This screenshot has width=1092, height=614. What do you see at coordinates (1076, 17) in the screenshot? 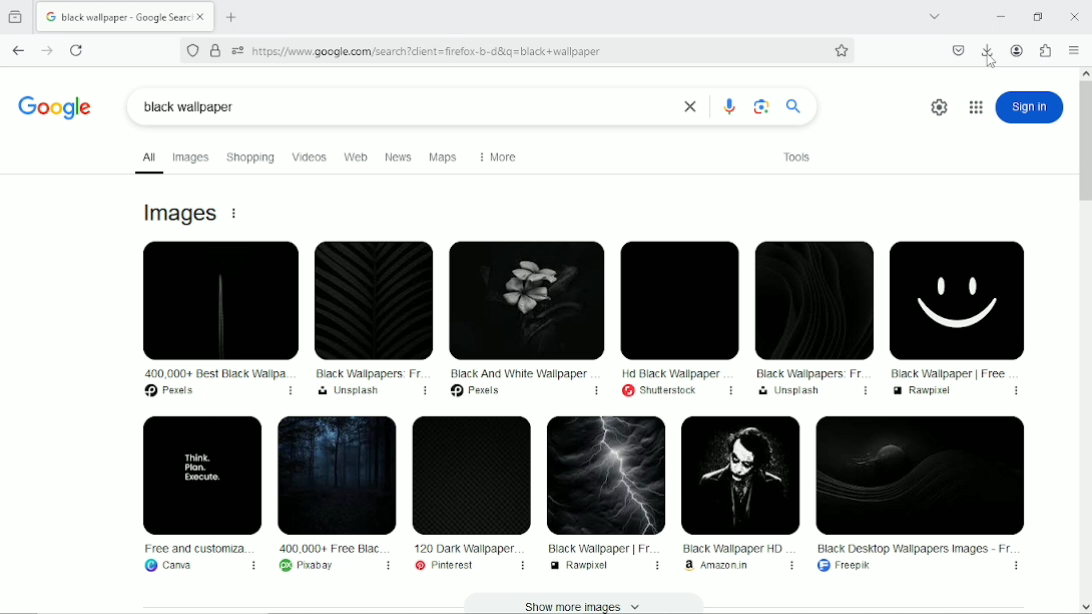
I see `Close` at bounding box center [1076, 17].